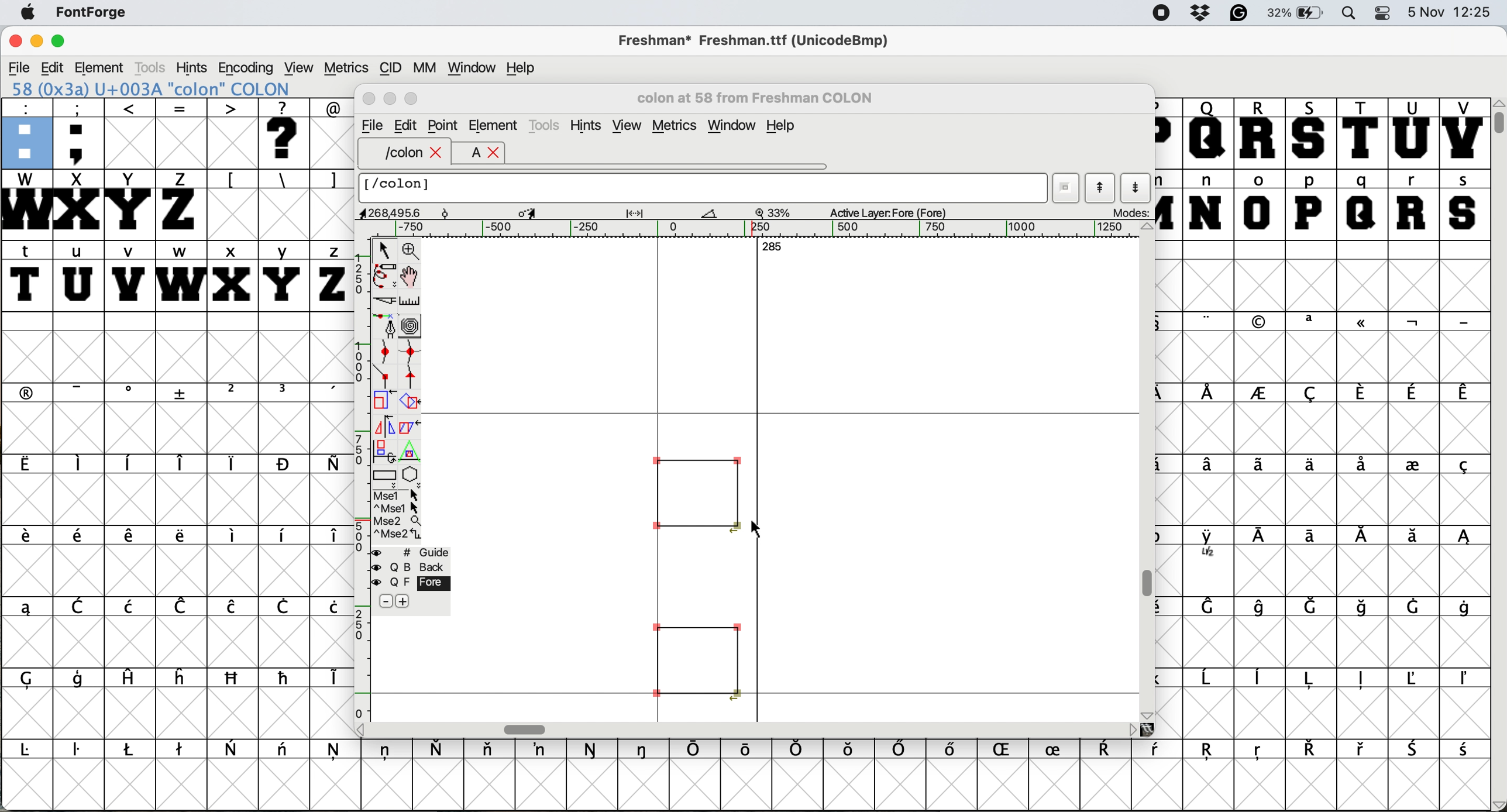  I want to click on symbol, so click(181, 677).